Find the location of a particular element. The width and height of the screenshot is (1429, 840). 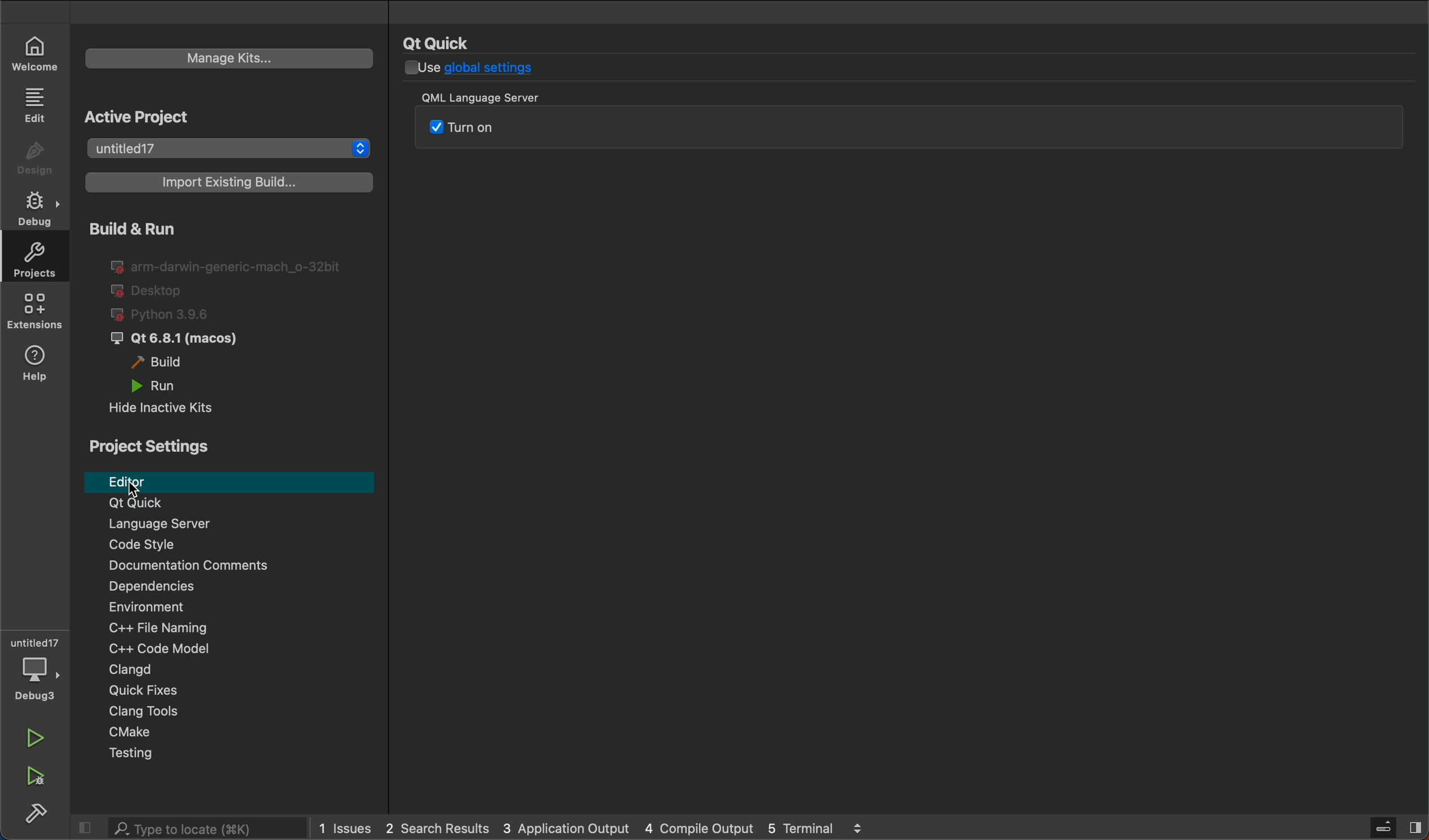

desktop is located at coordinates (150, 289).